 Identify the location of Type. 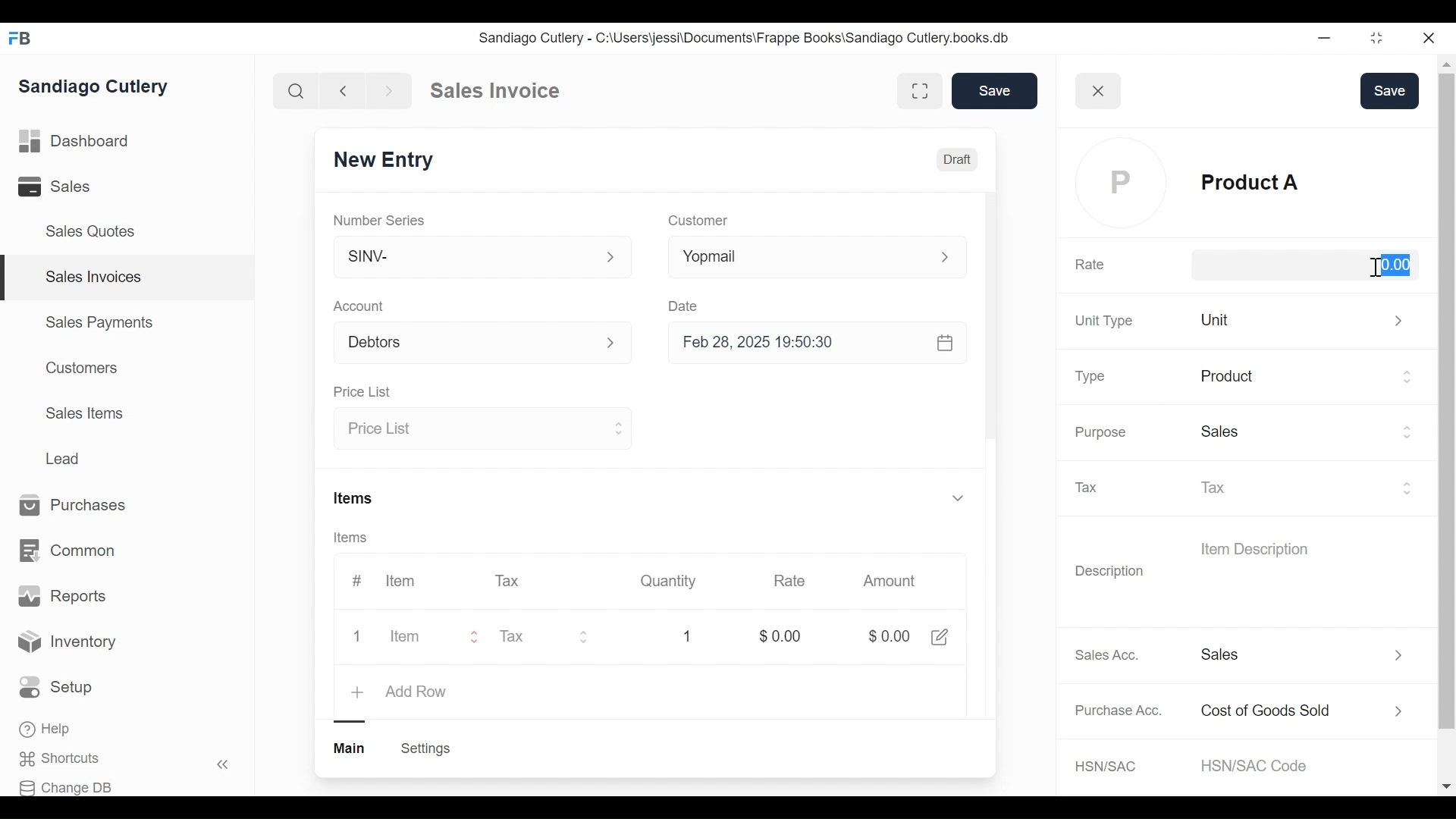
(1093, 378).